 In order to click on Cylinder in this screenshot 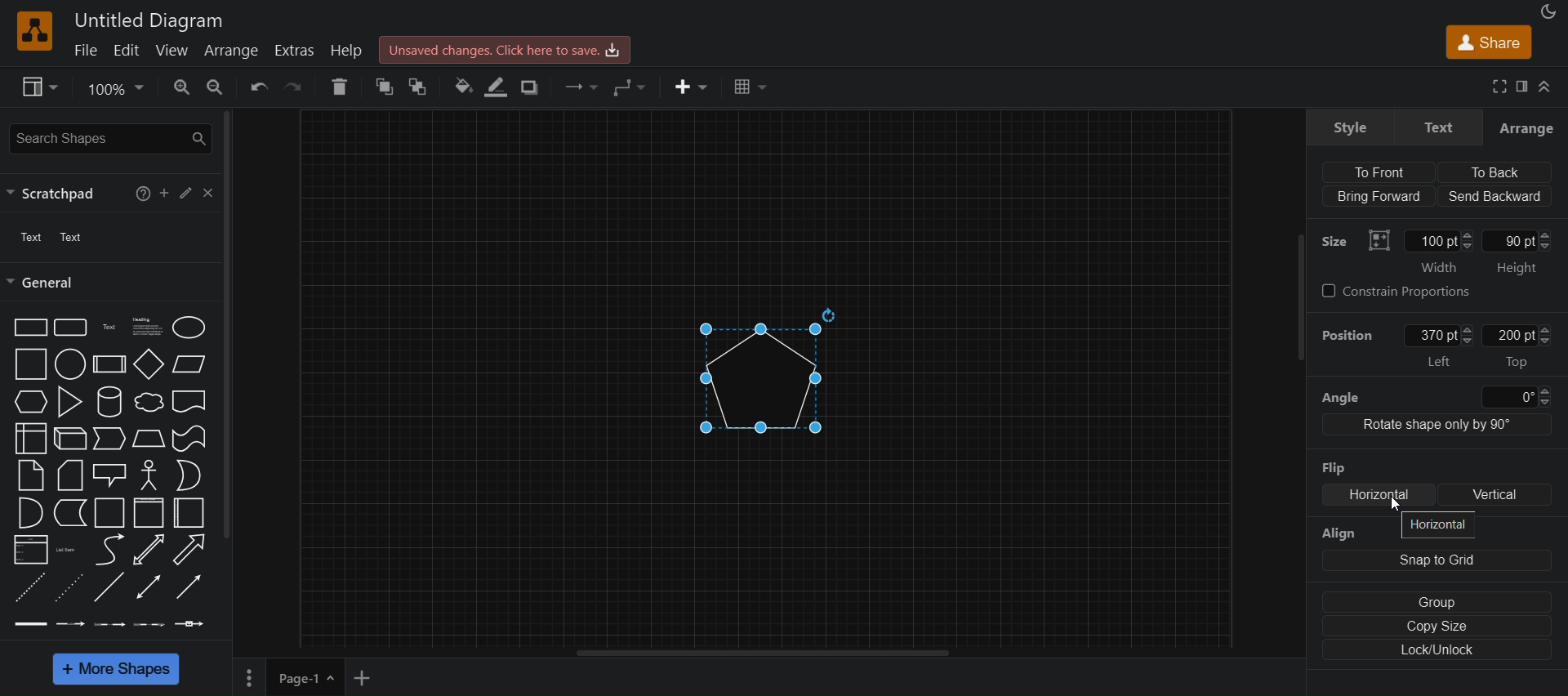, I will do `click(110, 402)`.